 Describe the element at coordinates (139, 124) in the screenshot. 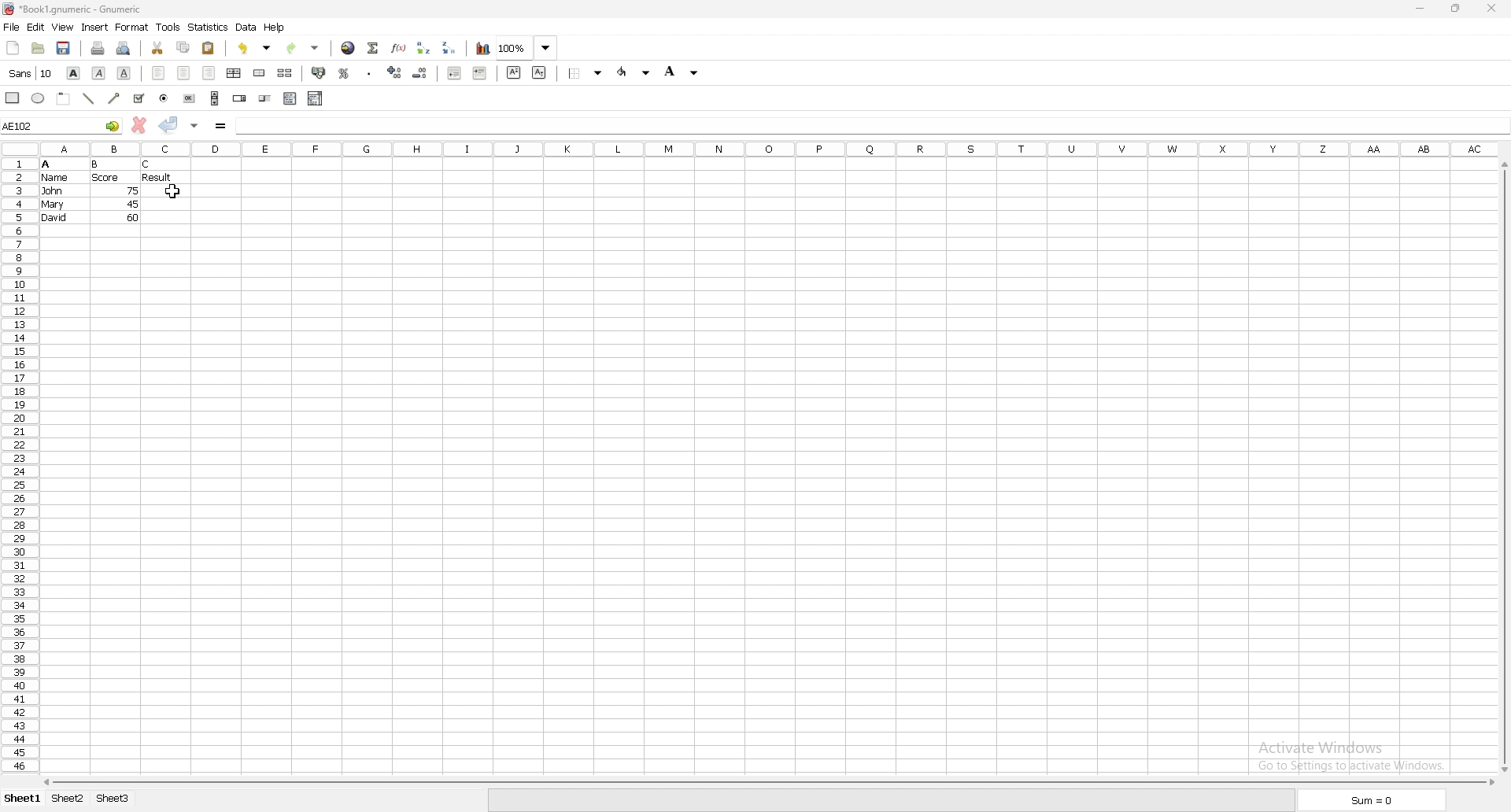

I see `clear change` at that location.